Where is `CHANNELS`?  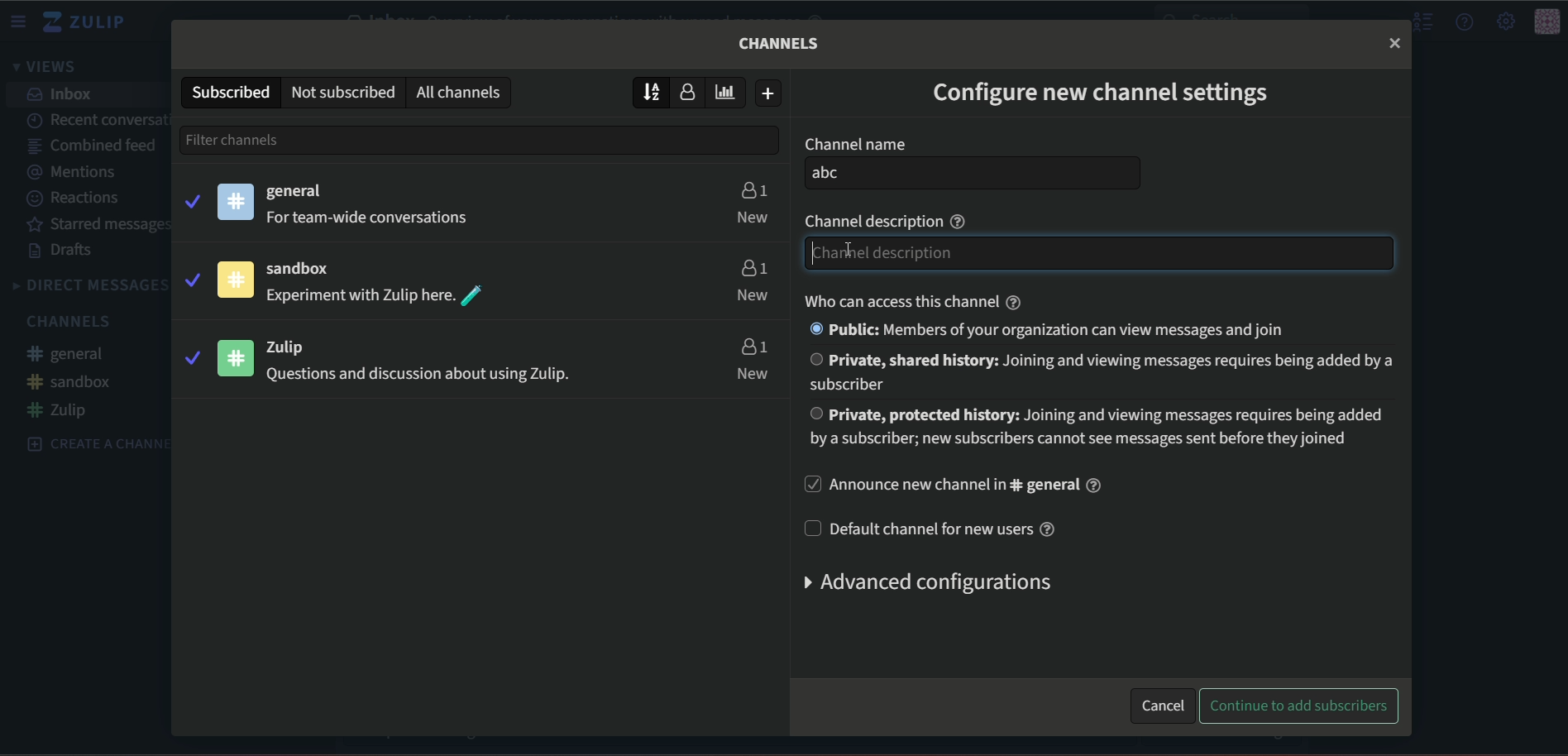
CHANNELS is located at coordinates (68, 323).